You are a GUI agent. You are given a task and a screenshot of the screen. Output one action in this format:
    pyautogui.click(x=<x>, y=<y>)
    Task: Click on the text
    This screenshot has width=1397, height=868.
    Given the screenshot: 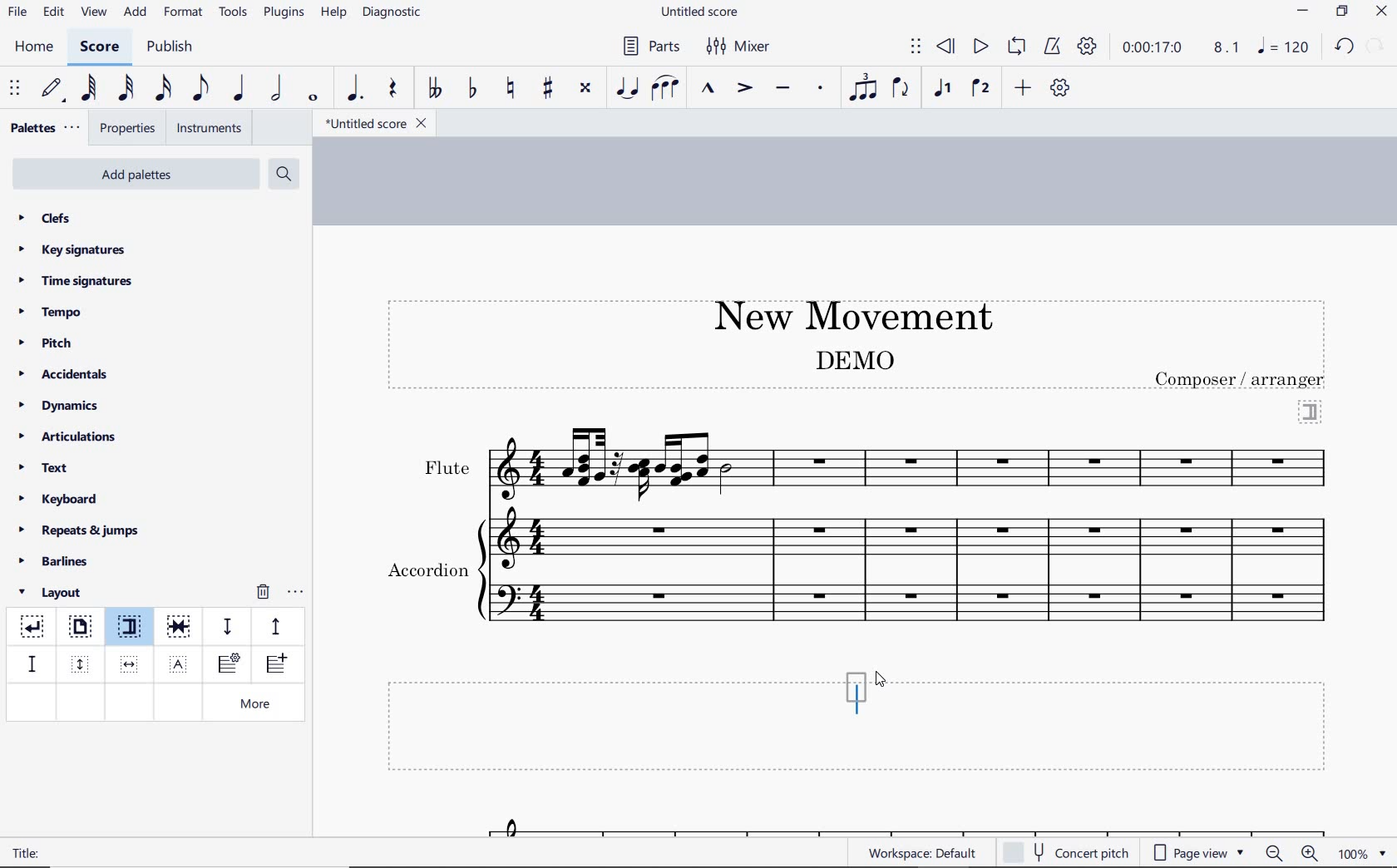 What is the action you would take?
    pyautogui.click(x=45, y=470)
    